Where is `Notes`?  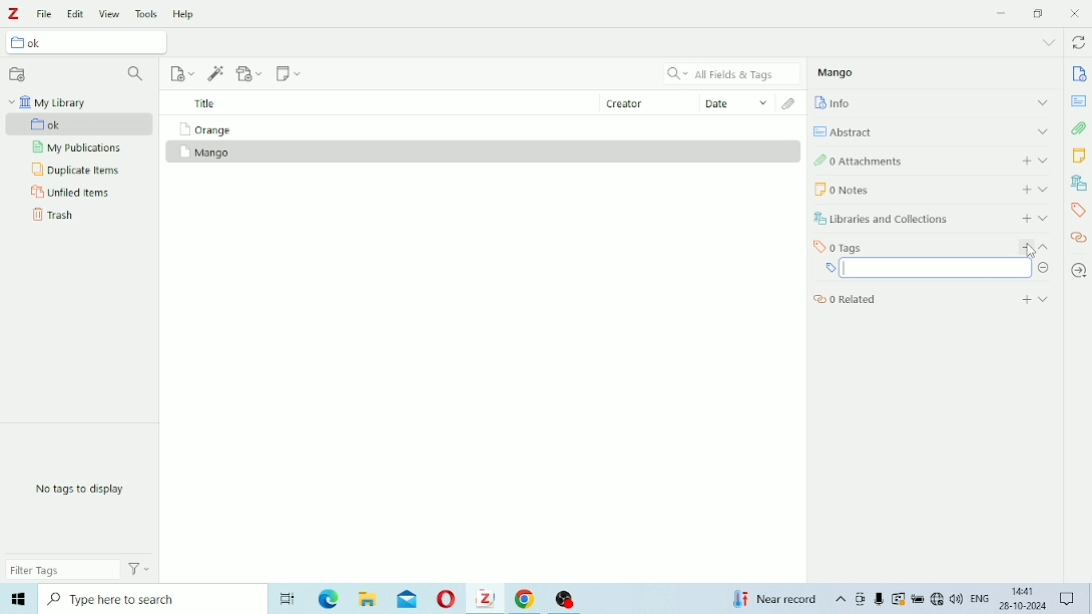 Notes is located at coordinates (1078, 157).